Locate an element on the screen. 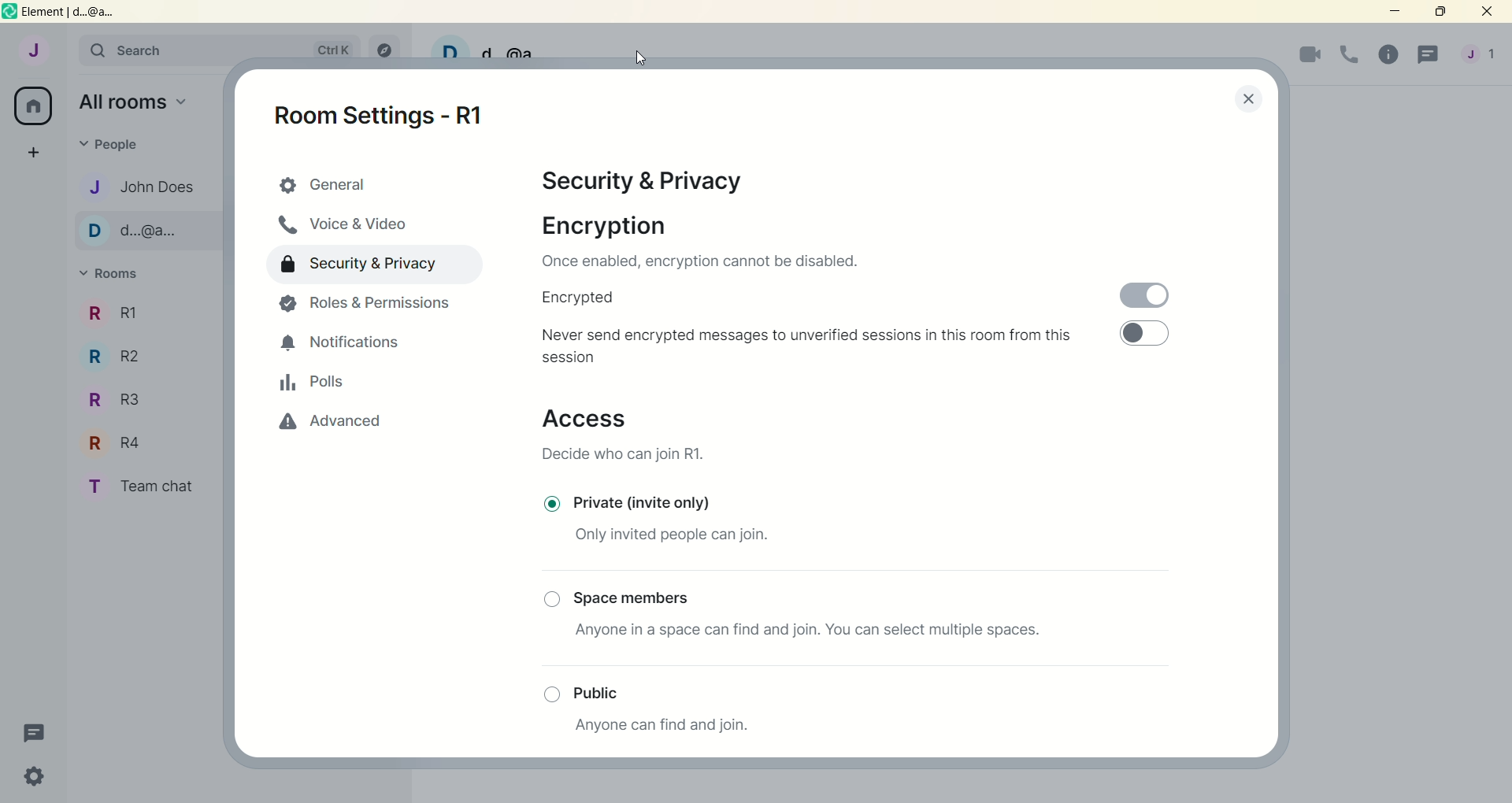 The image size is (1512, 803). Encrypted is located at coordinates (584, 297).